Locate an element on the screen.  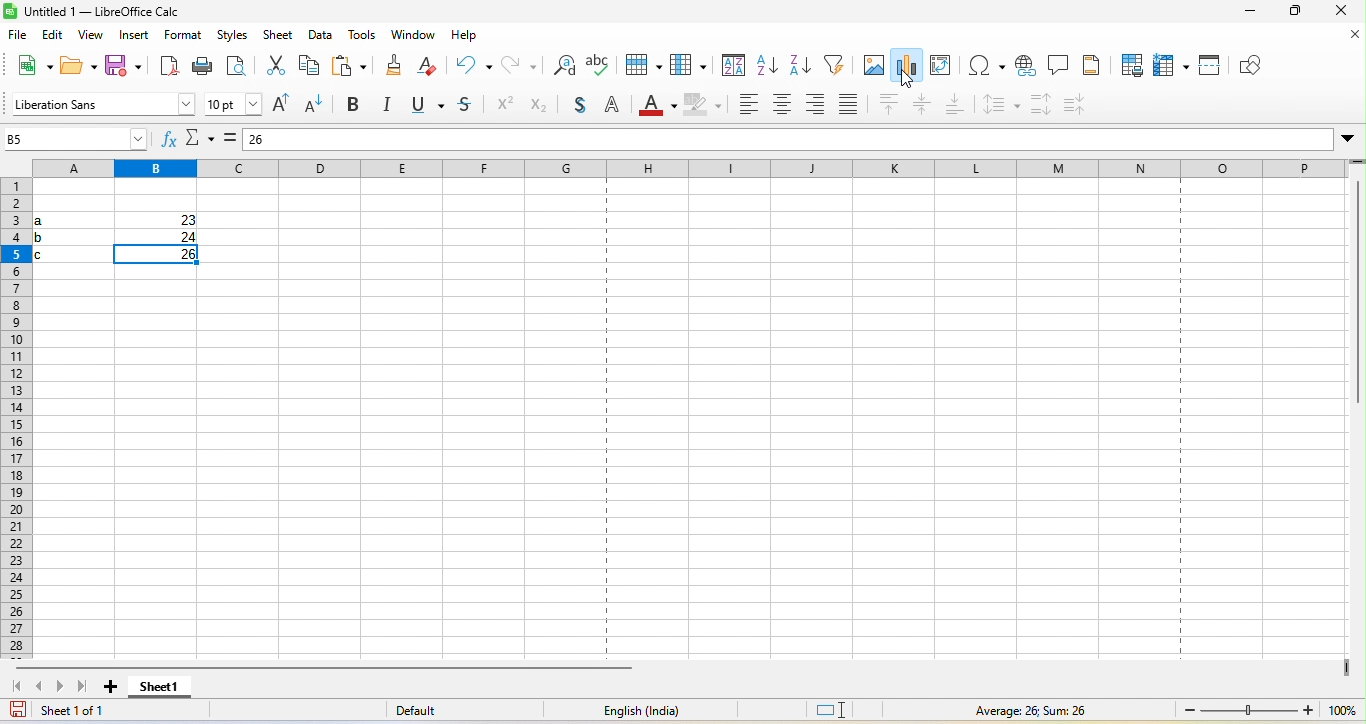
next sheet is located at coordinates (61, 691).